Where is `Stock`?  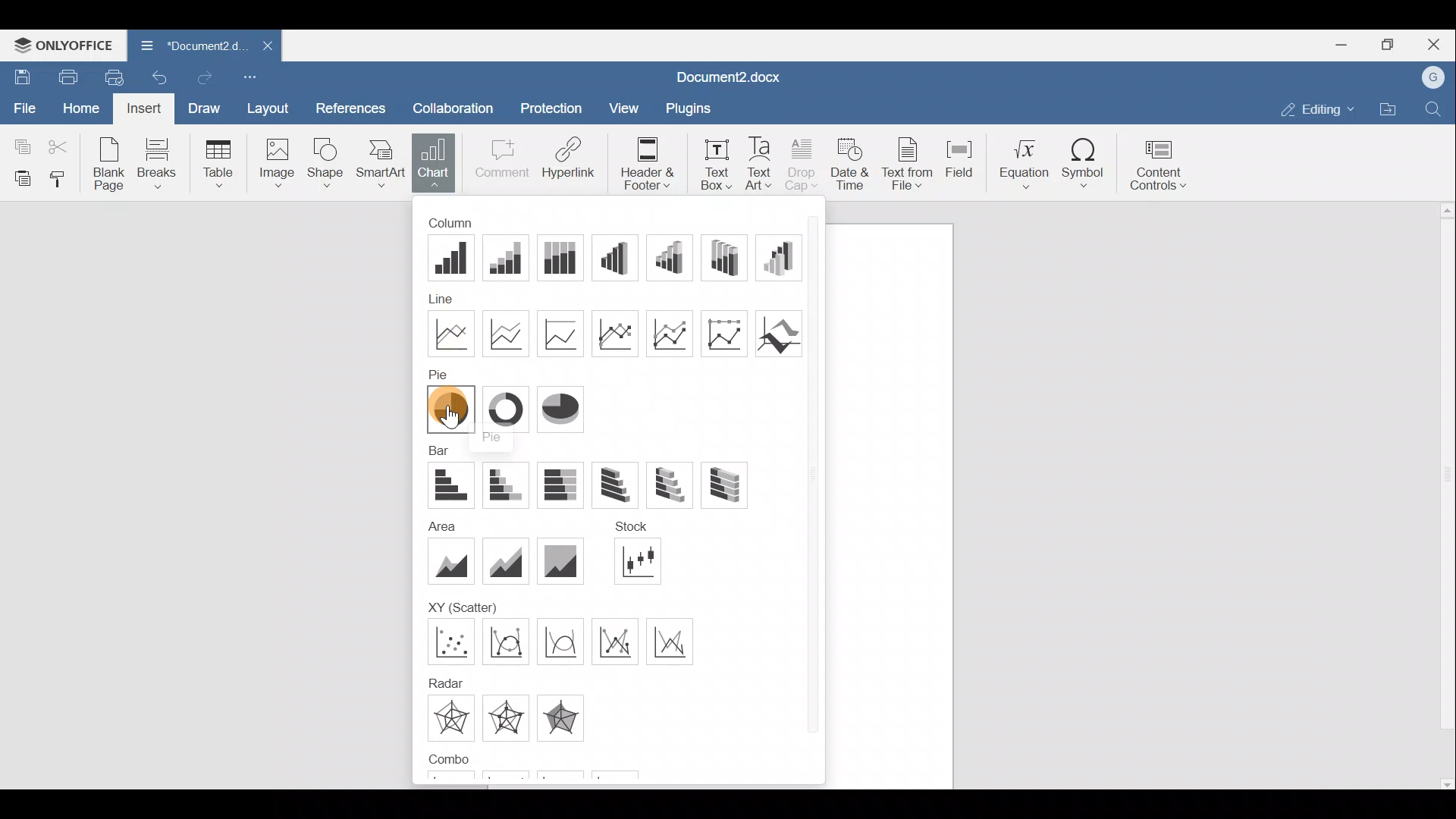 Stock is located at coordinates (624, 529).